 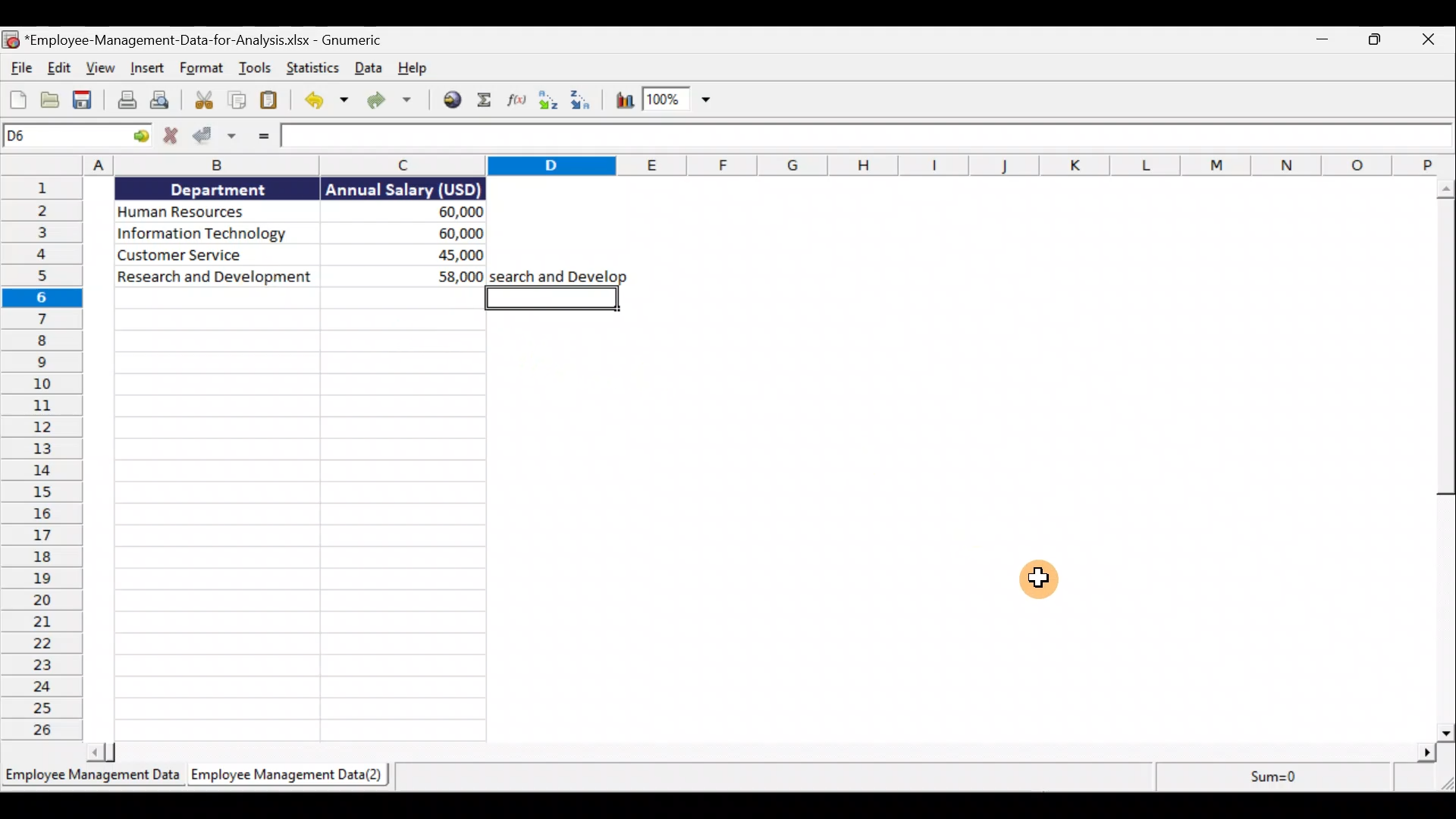 What do you see at coordinates (412, 69) in the screenshot?
I see `Help` at bounding box center [412, 69].